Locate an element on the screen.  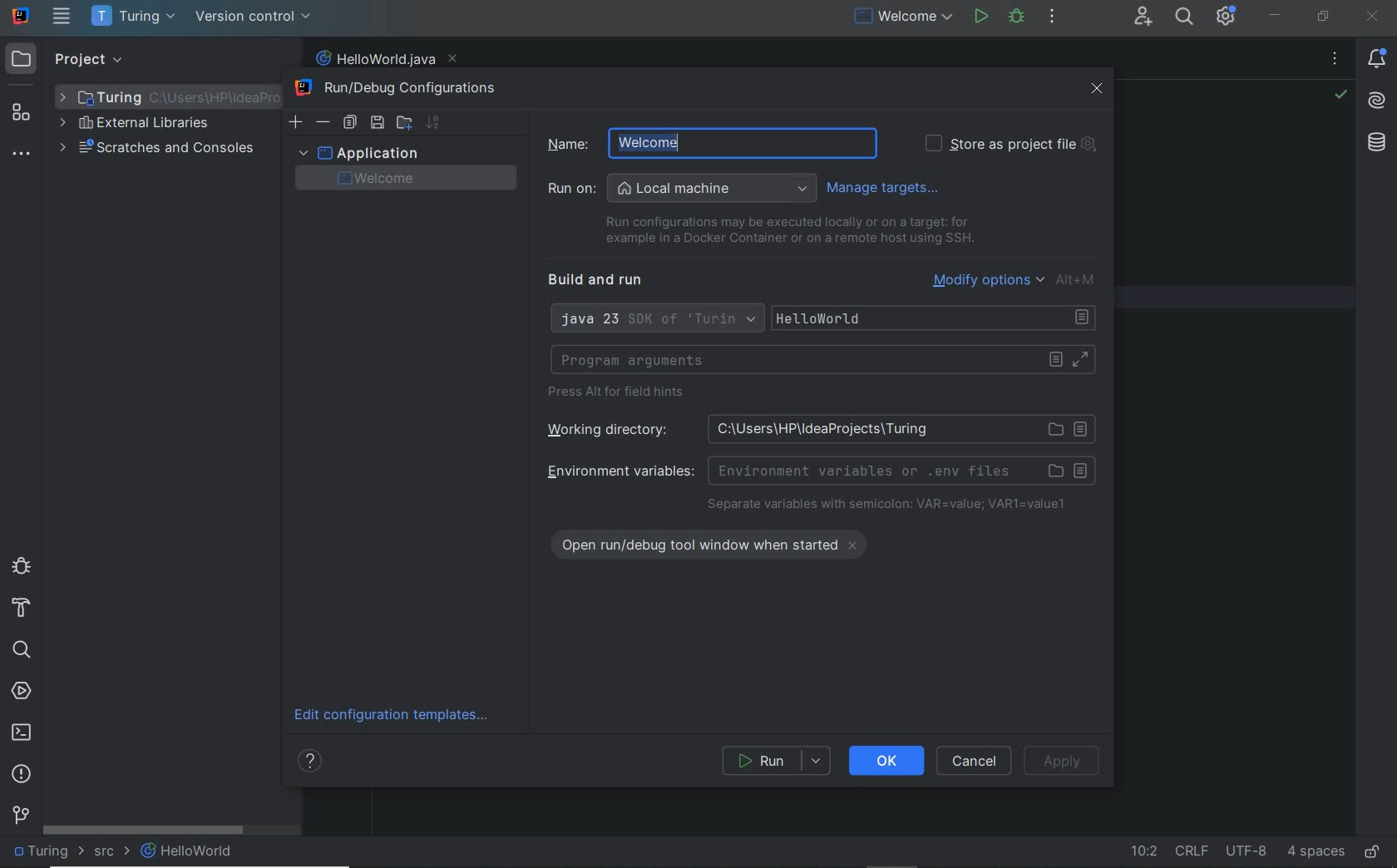
edit configuration templates is located at coordinates (397, 716).